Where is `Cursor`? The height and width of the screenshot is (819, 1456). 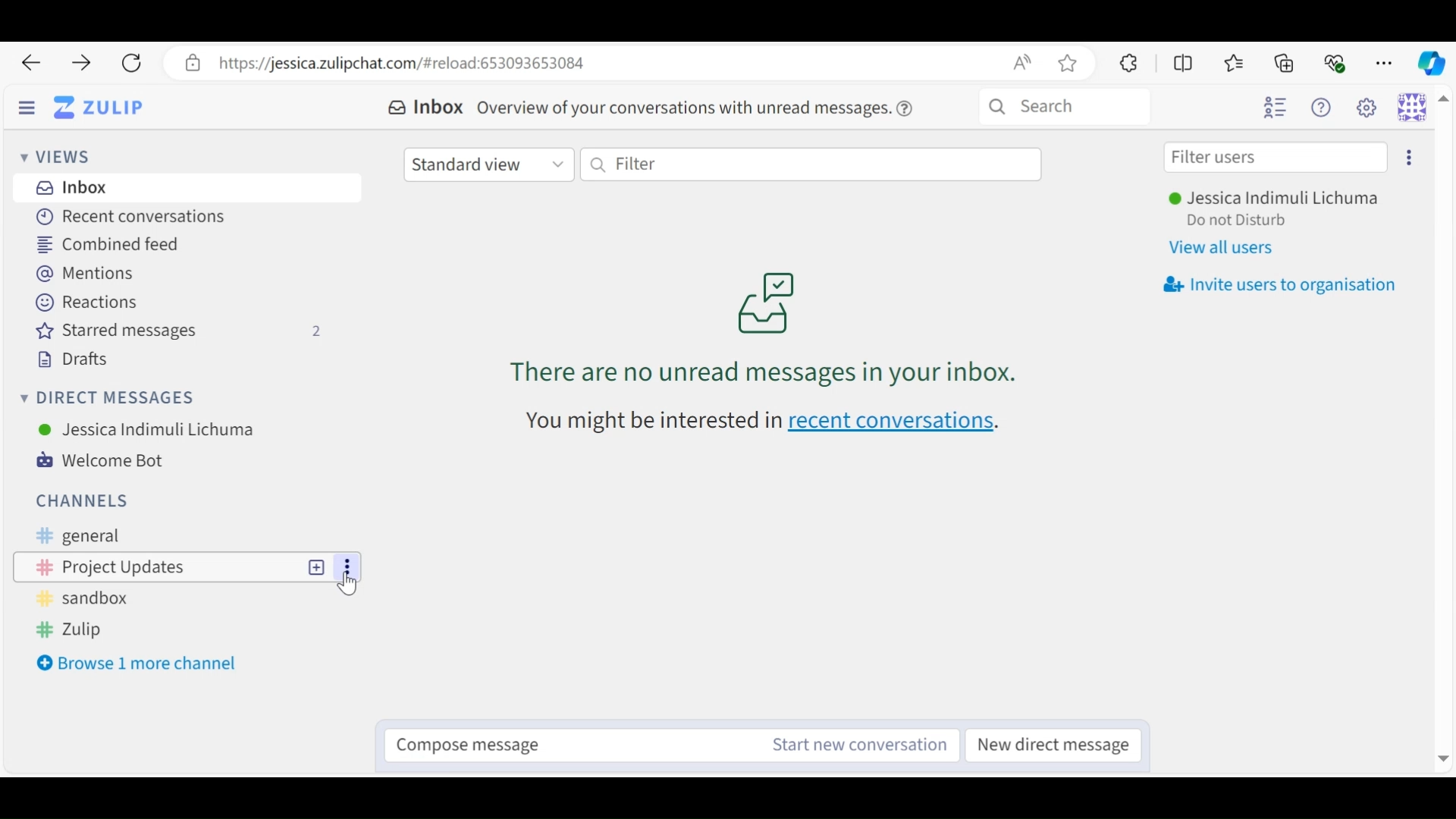
Cursor is located at coordinates (350, 582).